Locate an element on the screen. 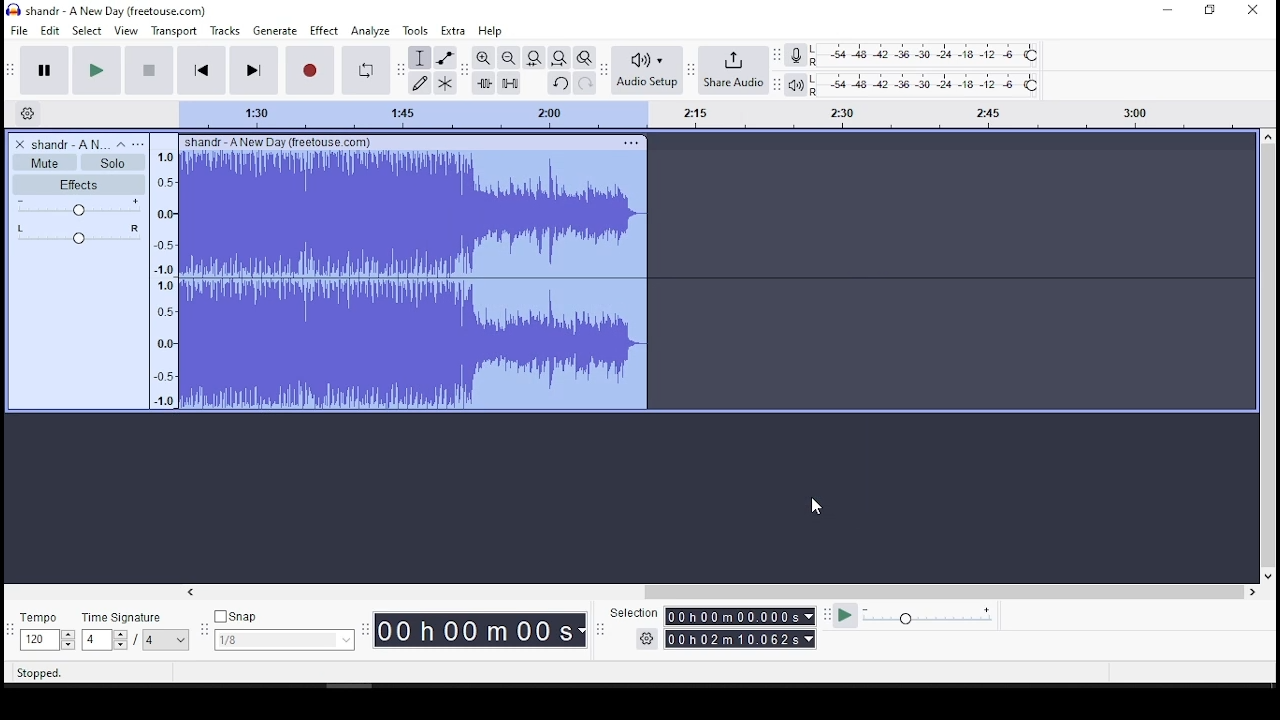 The width and height of the screenshot is (1280, 720). silence audio selection is located at coordinates (509, 83).